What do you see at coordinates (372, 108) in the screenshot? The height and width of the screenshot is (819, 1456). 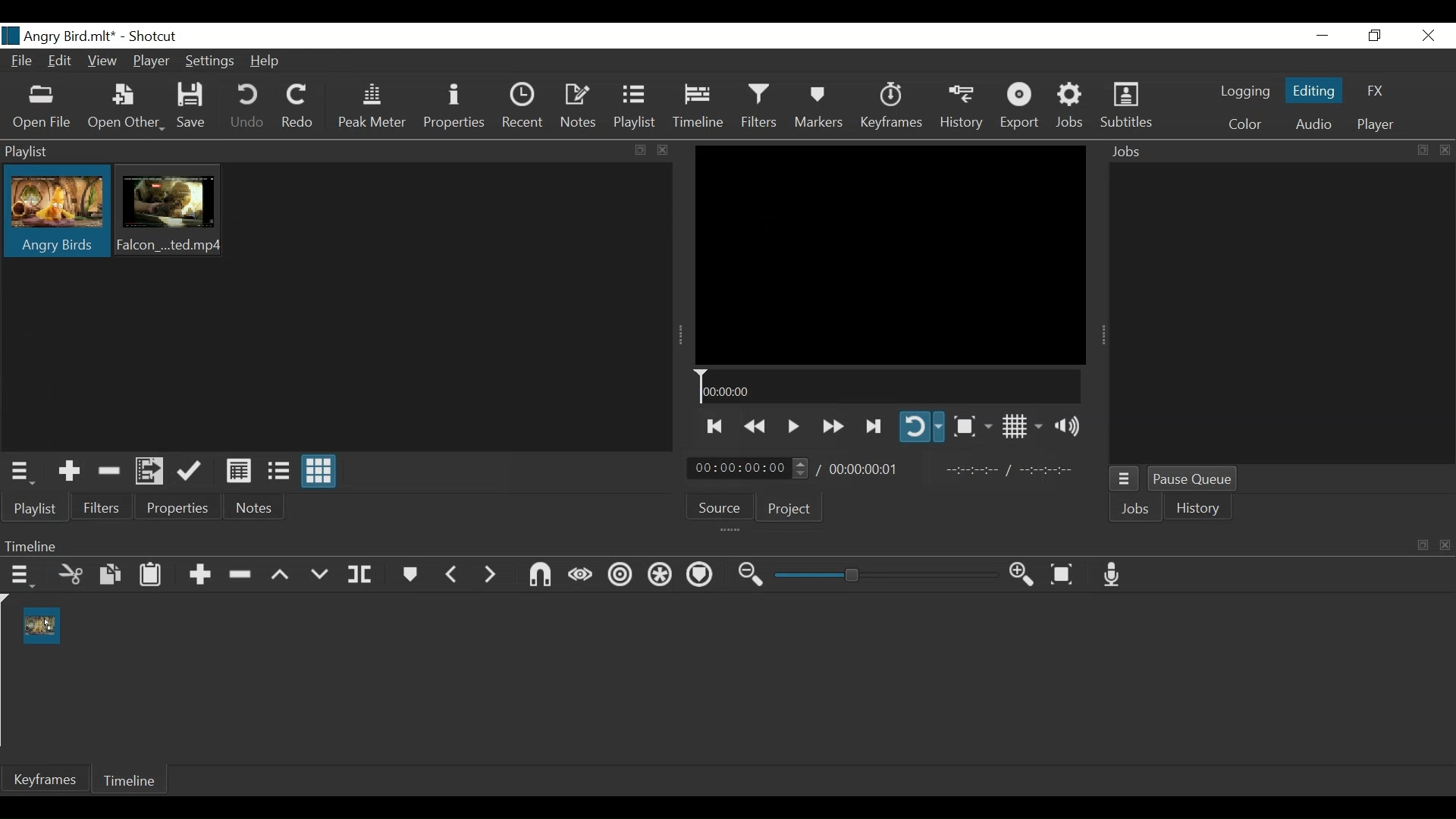 I see `Peak Meter` at bounding box center [372, 108].